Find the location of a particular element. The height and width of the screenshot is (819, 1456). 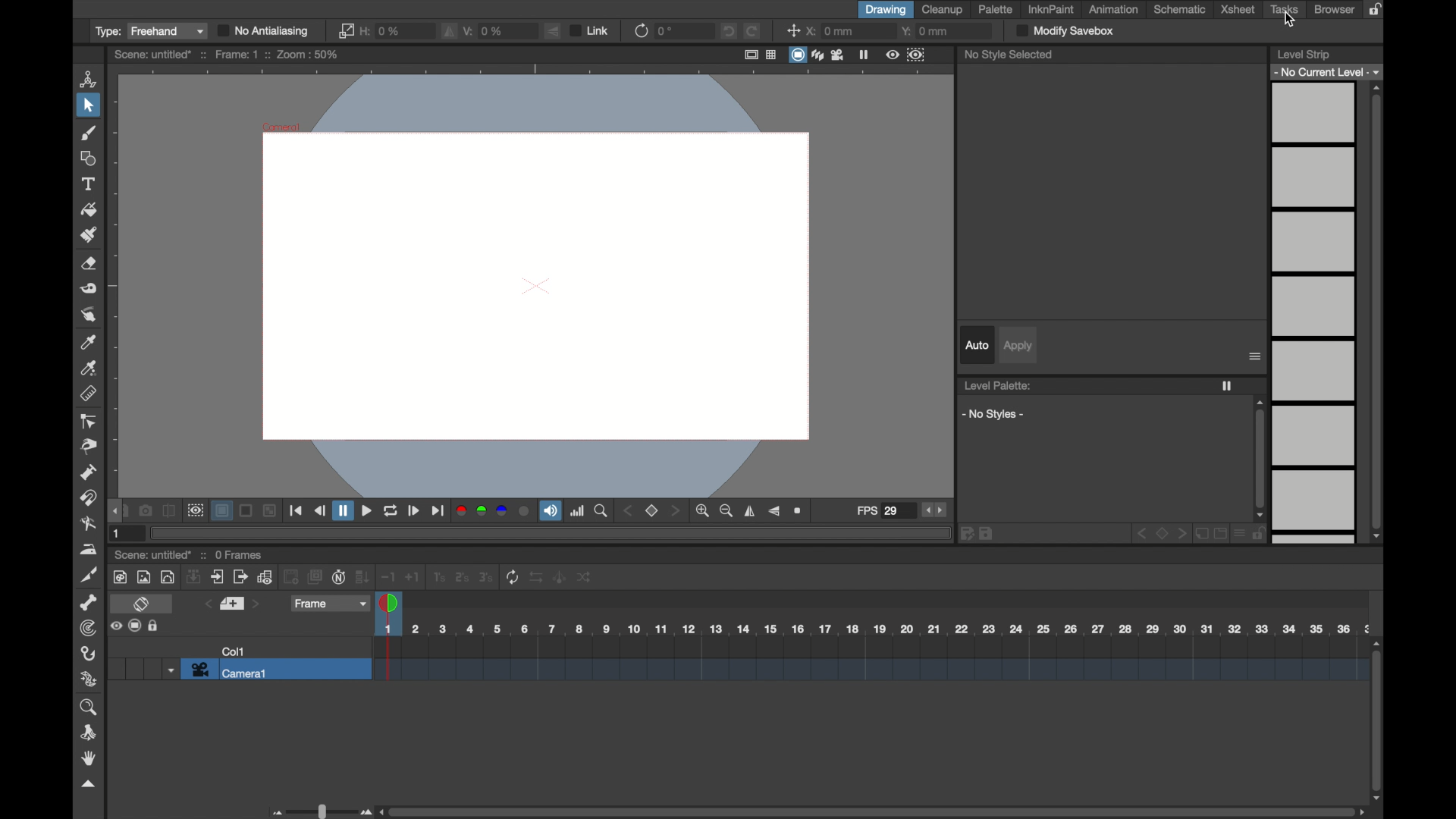

scene: untitled* :: Frame: 1 :: Zoom: 50% is located at coordinates (224, 55).